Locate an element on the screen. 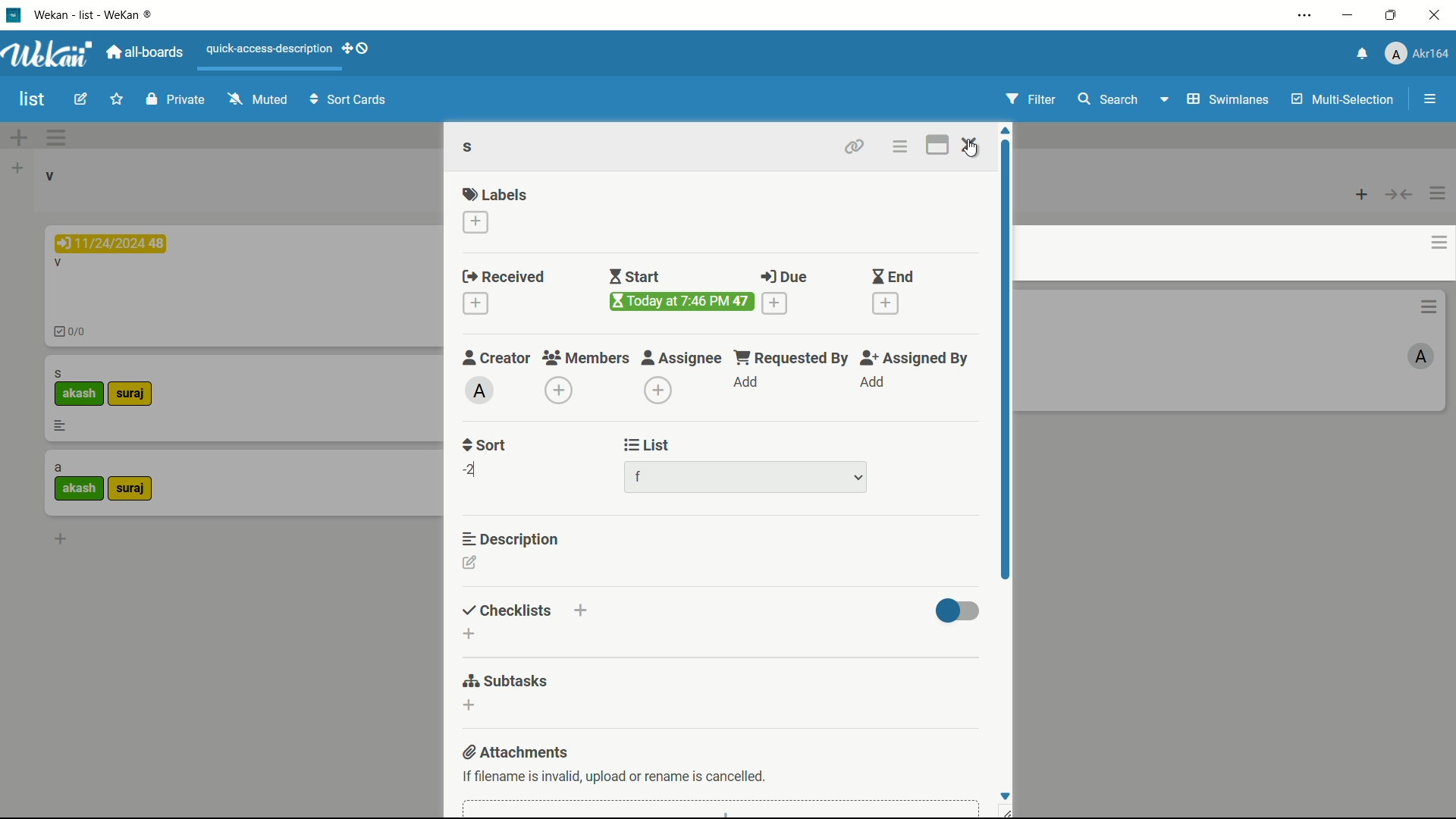 The width and height of the screenshot is (1456, 819). admin is located at coordinates (479, 391).